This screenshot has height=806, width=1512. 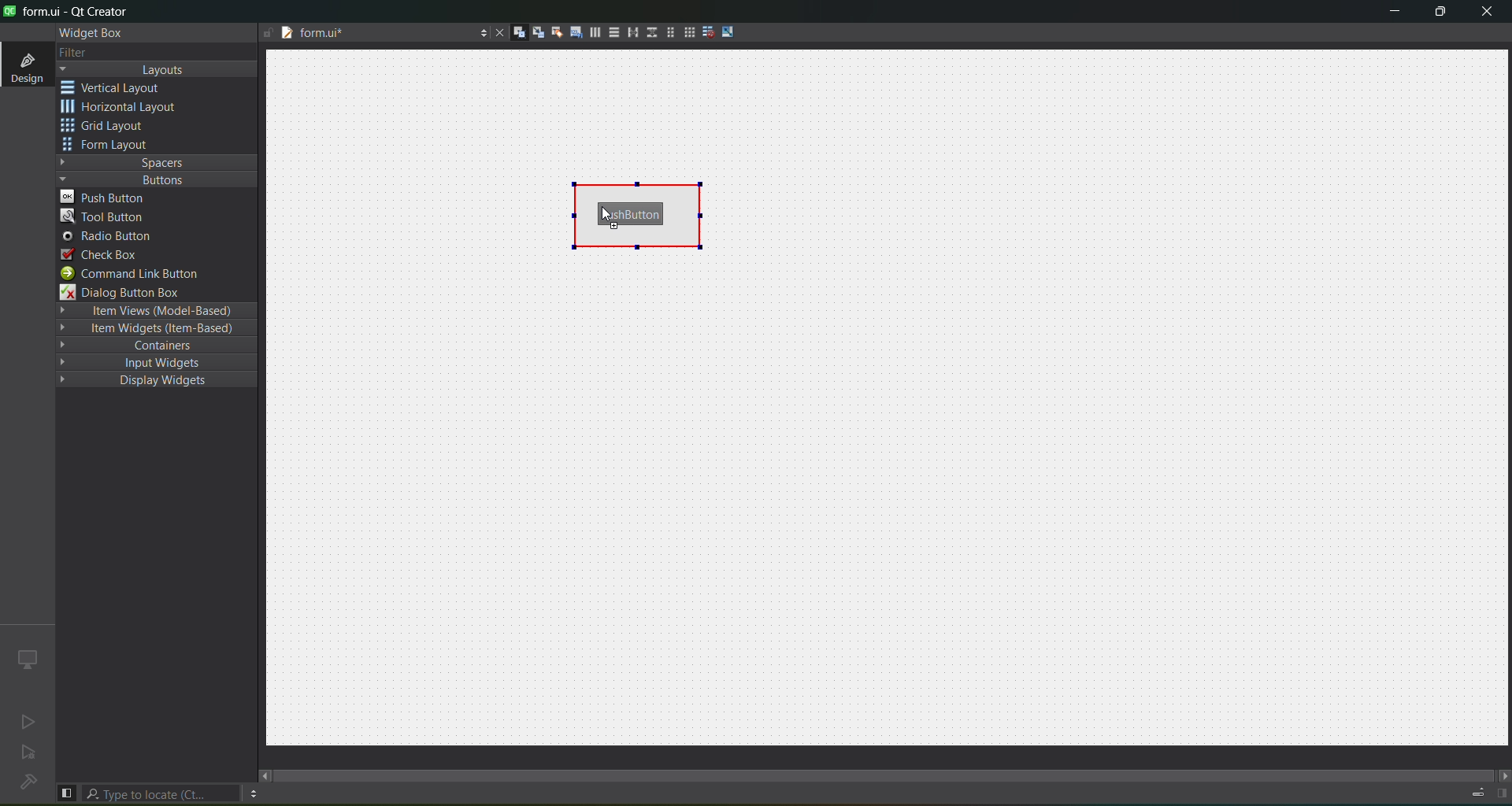 What do you see at coordinates (595, 35) in the screenshot?
I see `horizontal layoutt` at bounding box center [595, 35].